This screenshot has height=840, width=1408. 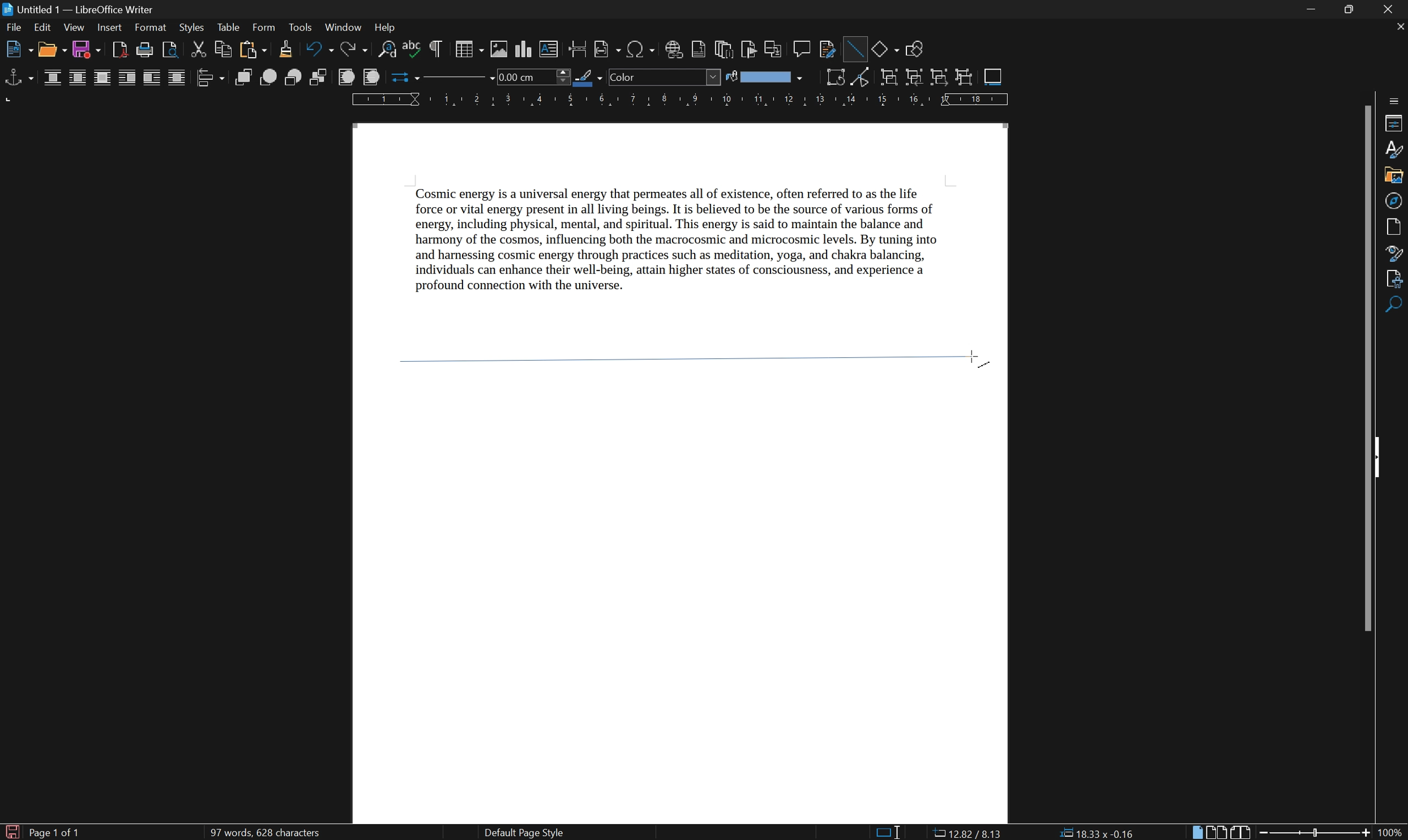 I want to click on style inspector, so click(x=1395, y=252).